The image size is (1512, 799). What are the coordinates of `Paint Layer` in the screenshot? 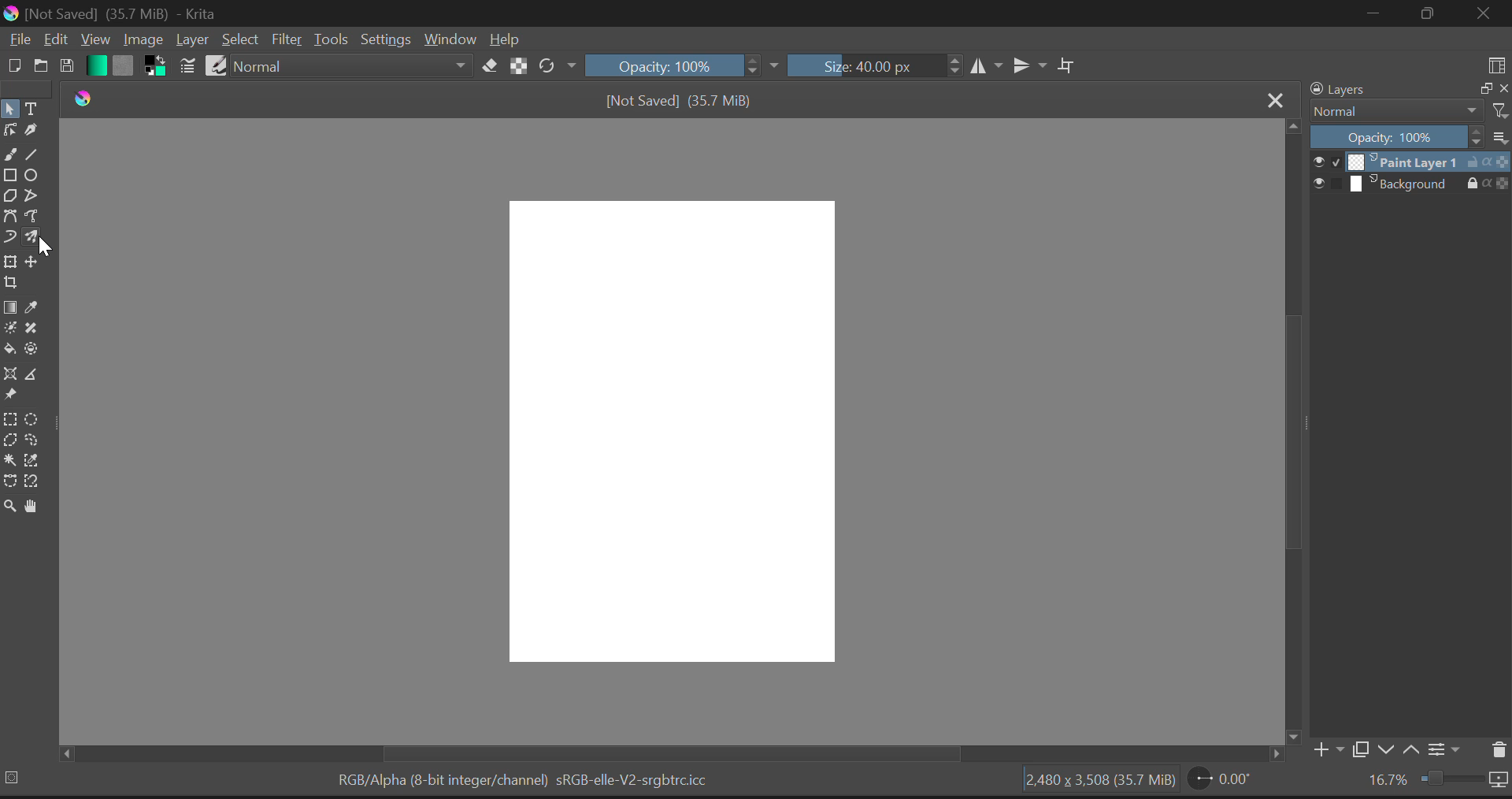 It's located at (1411, 163).